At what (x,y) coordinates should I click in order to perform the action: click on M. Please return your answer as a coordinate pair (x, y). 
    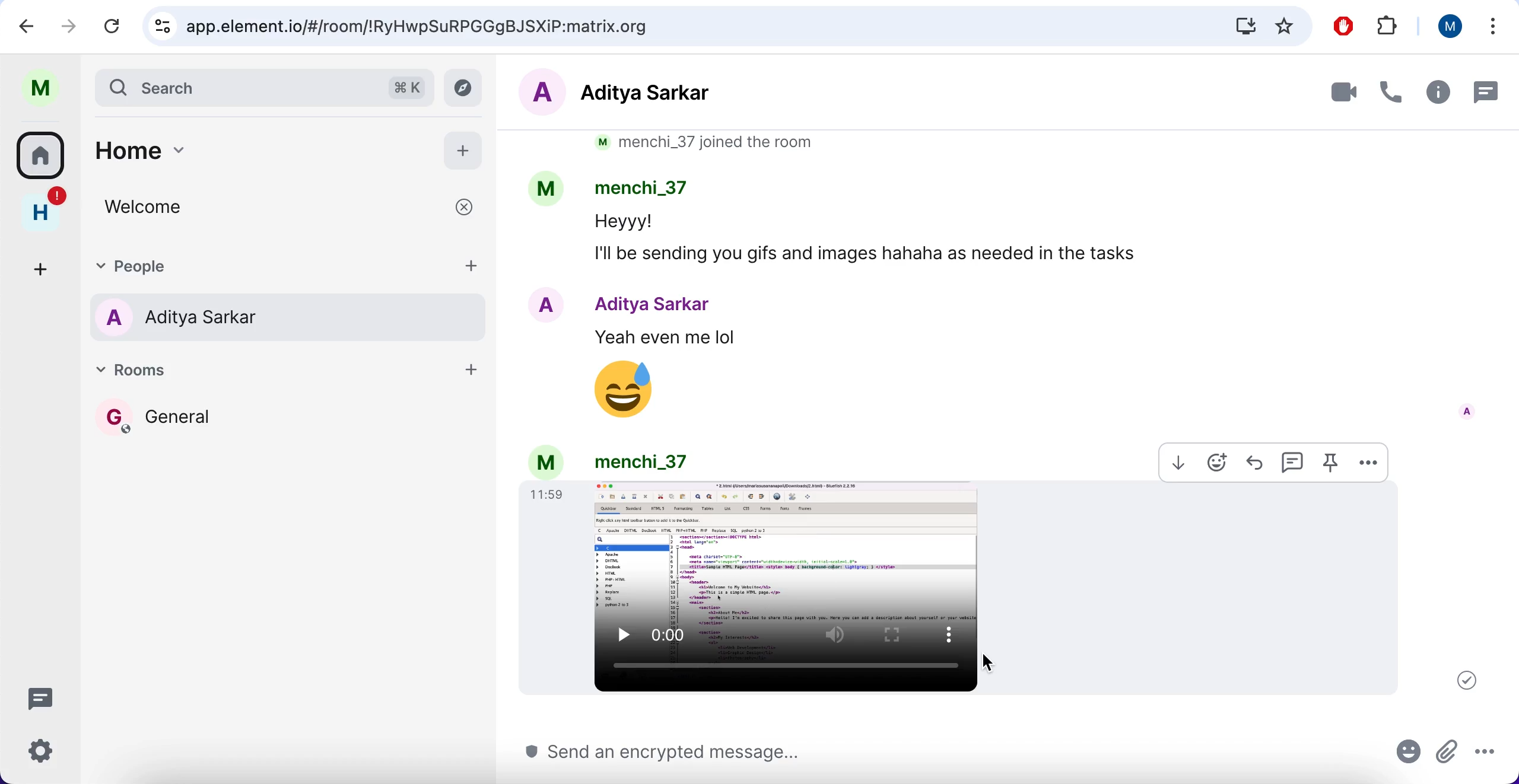
    Looking at the image, I should click on (532, 187).